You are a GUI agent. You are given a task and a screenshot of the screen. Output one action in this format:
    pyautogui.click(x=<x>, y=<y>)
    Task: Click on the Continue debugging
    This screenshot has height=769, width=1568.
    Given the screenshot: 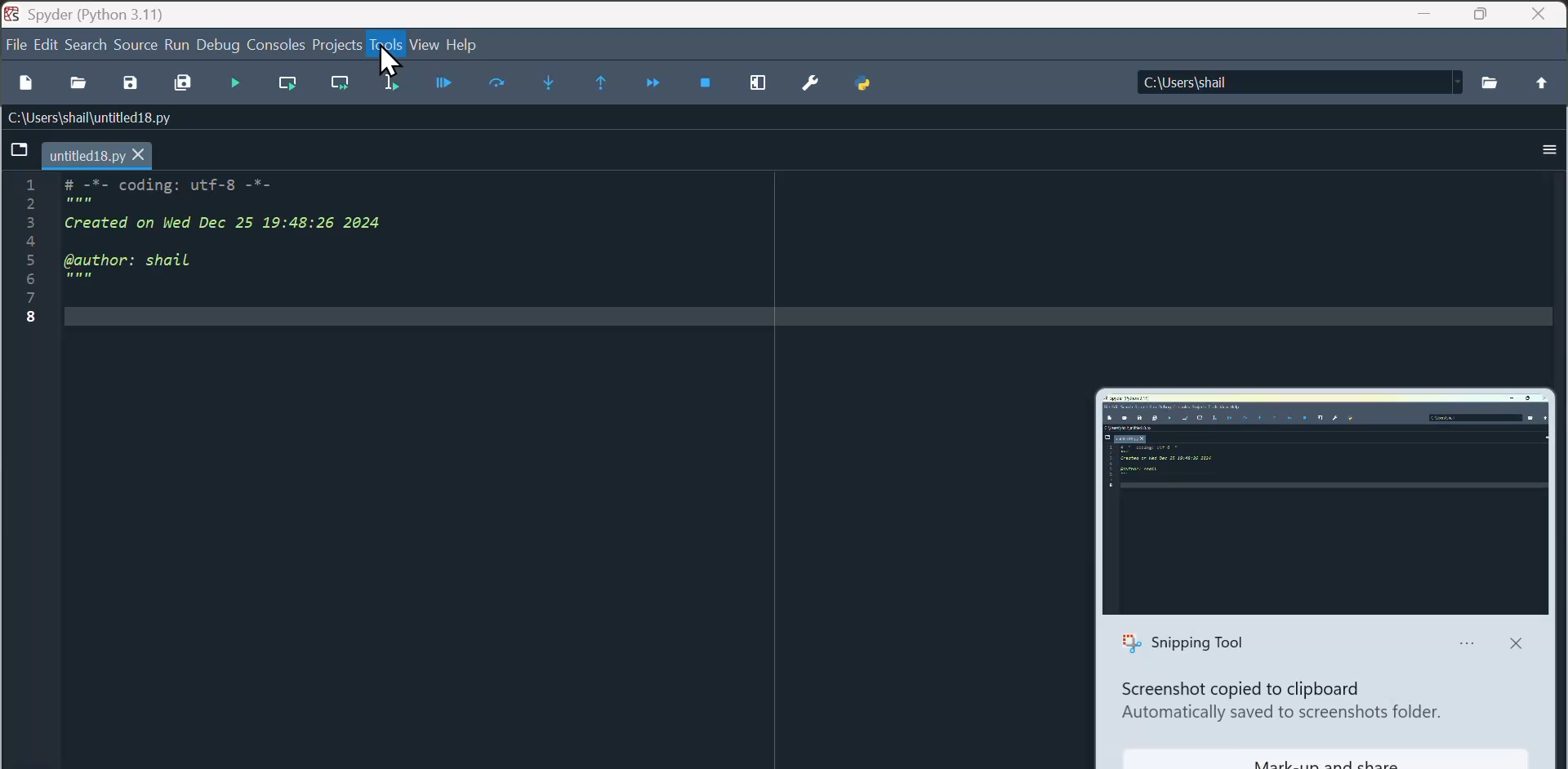 What is the action you would take?
    pyautogui.click(x=597, y=83)
    